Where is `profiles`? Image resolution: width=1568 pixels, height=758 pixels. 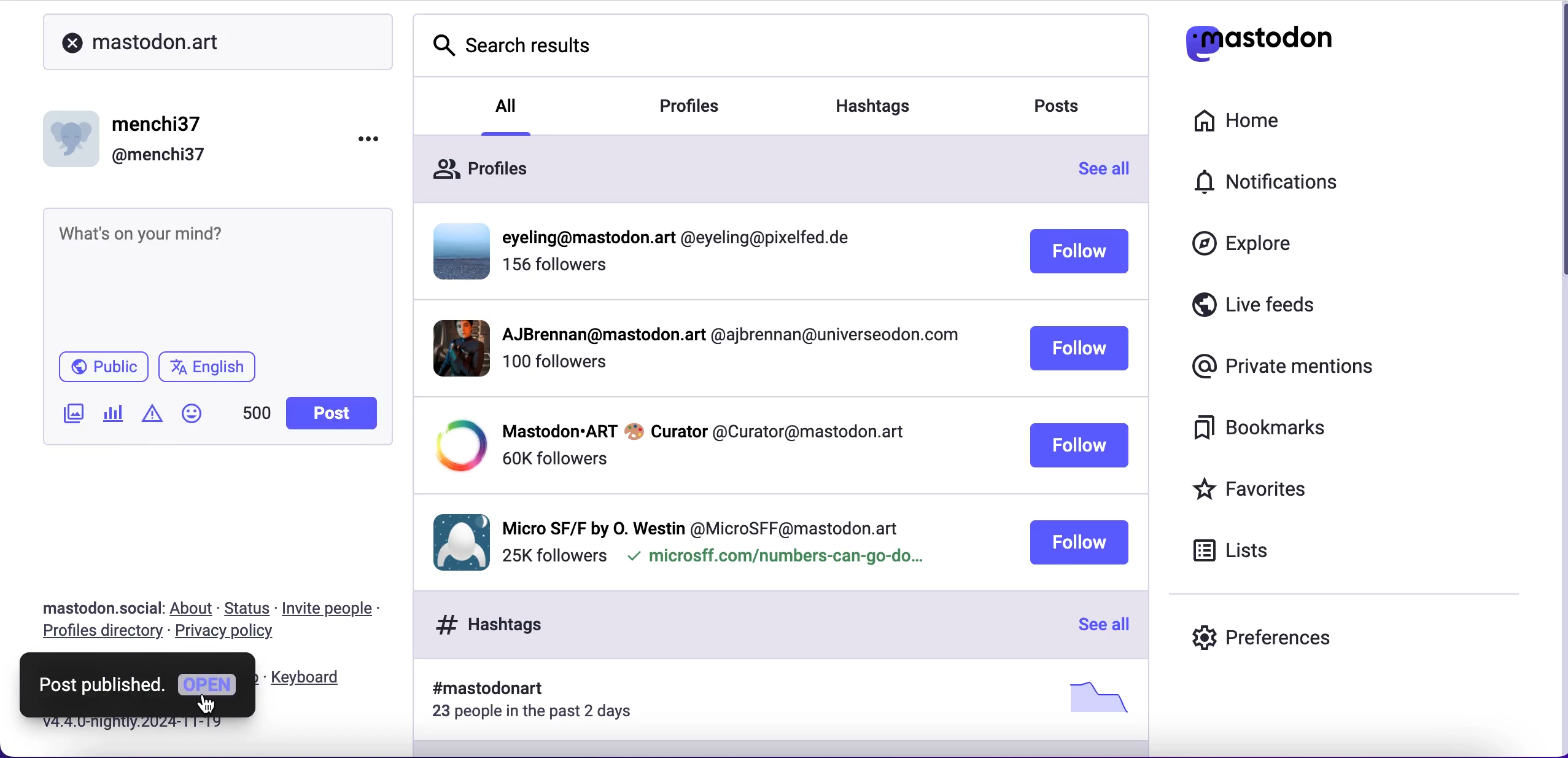 profiles is located at coordinates (502, 165).